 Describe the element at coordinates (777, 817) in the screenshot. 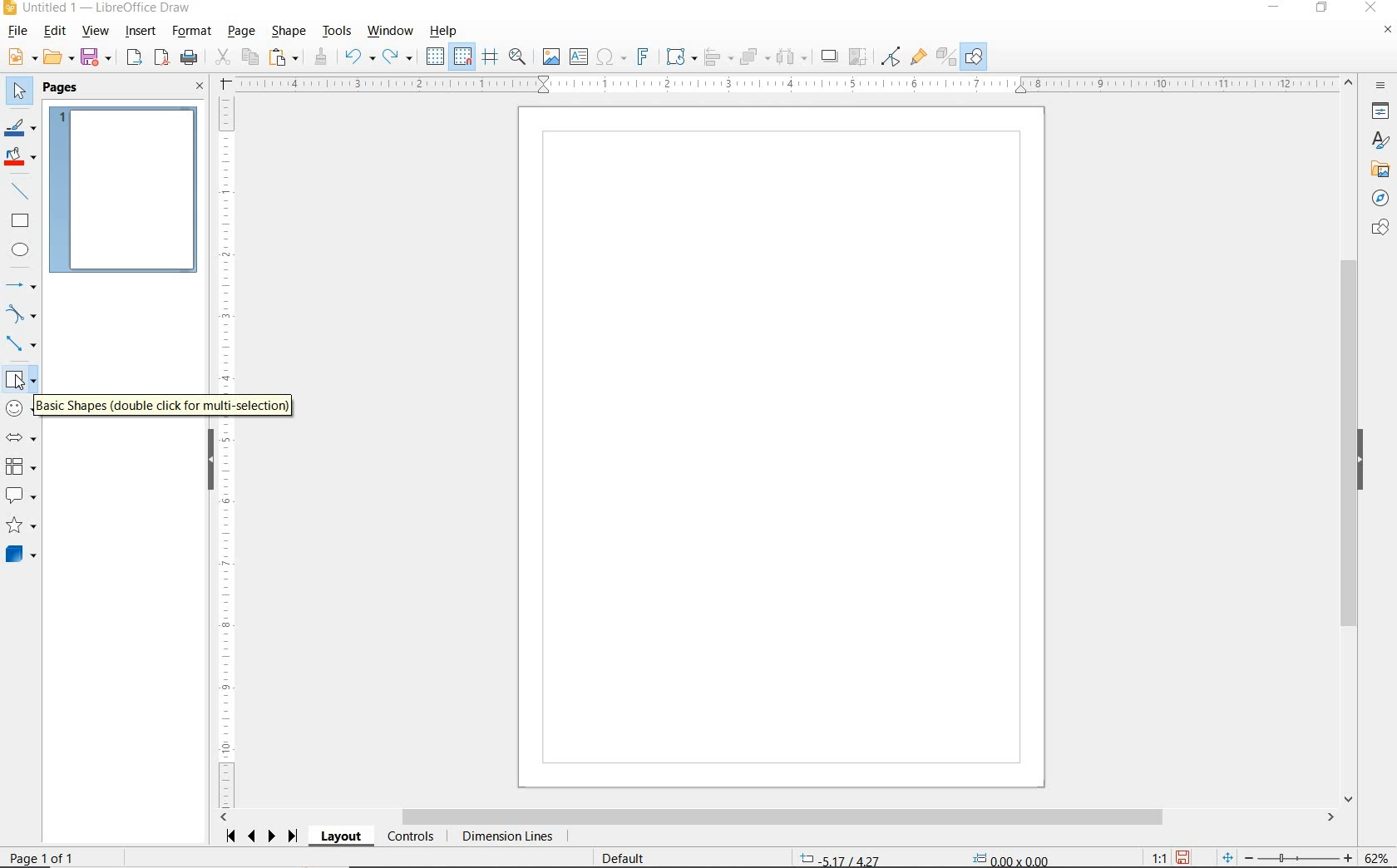

I see `SCROLLBAR` at that location.